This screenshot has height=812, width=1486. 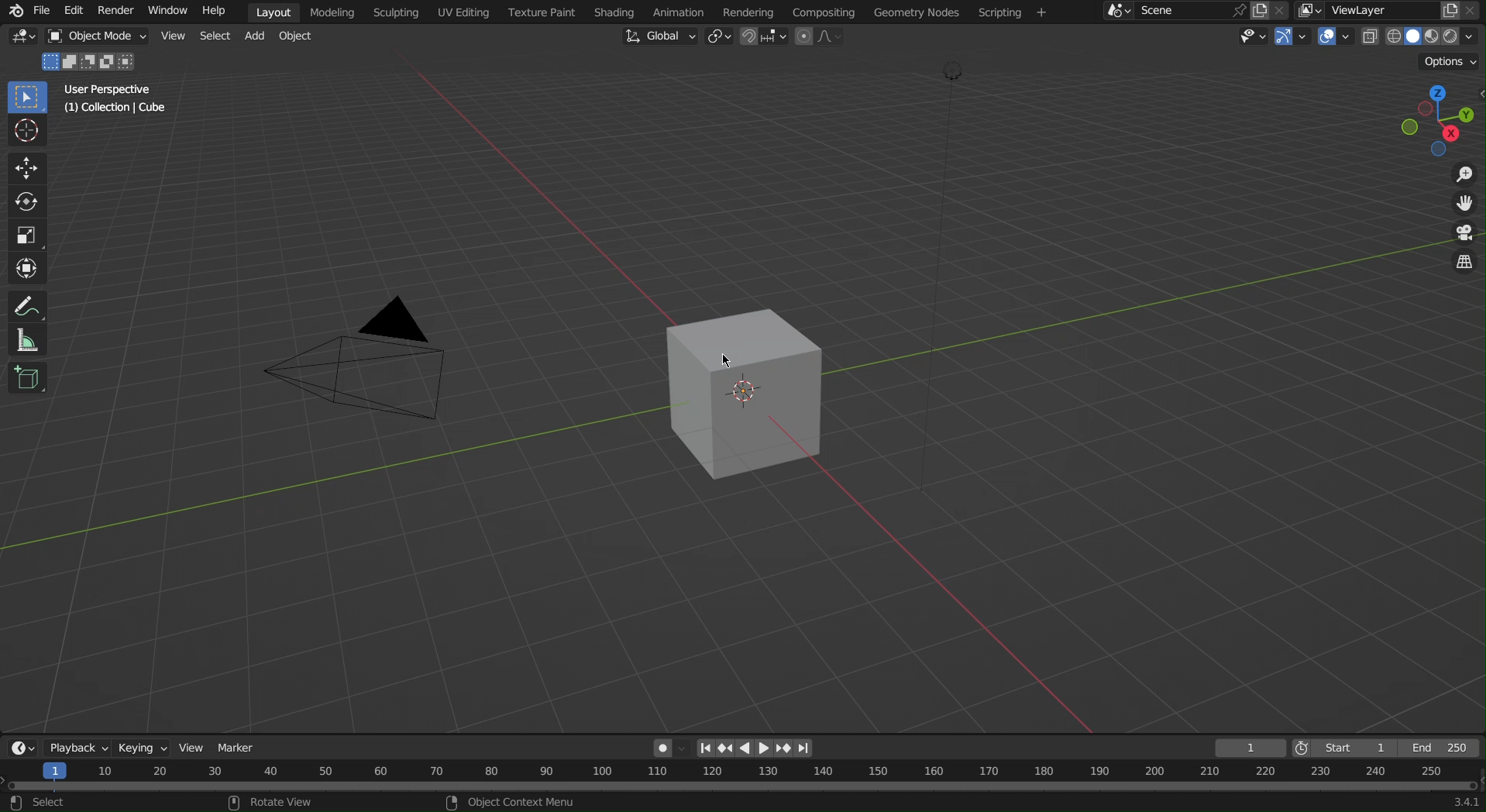 I want to click on Scripting, so click(x=399, y=12).